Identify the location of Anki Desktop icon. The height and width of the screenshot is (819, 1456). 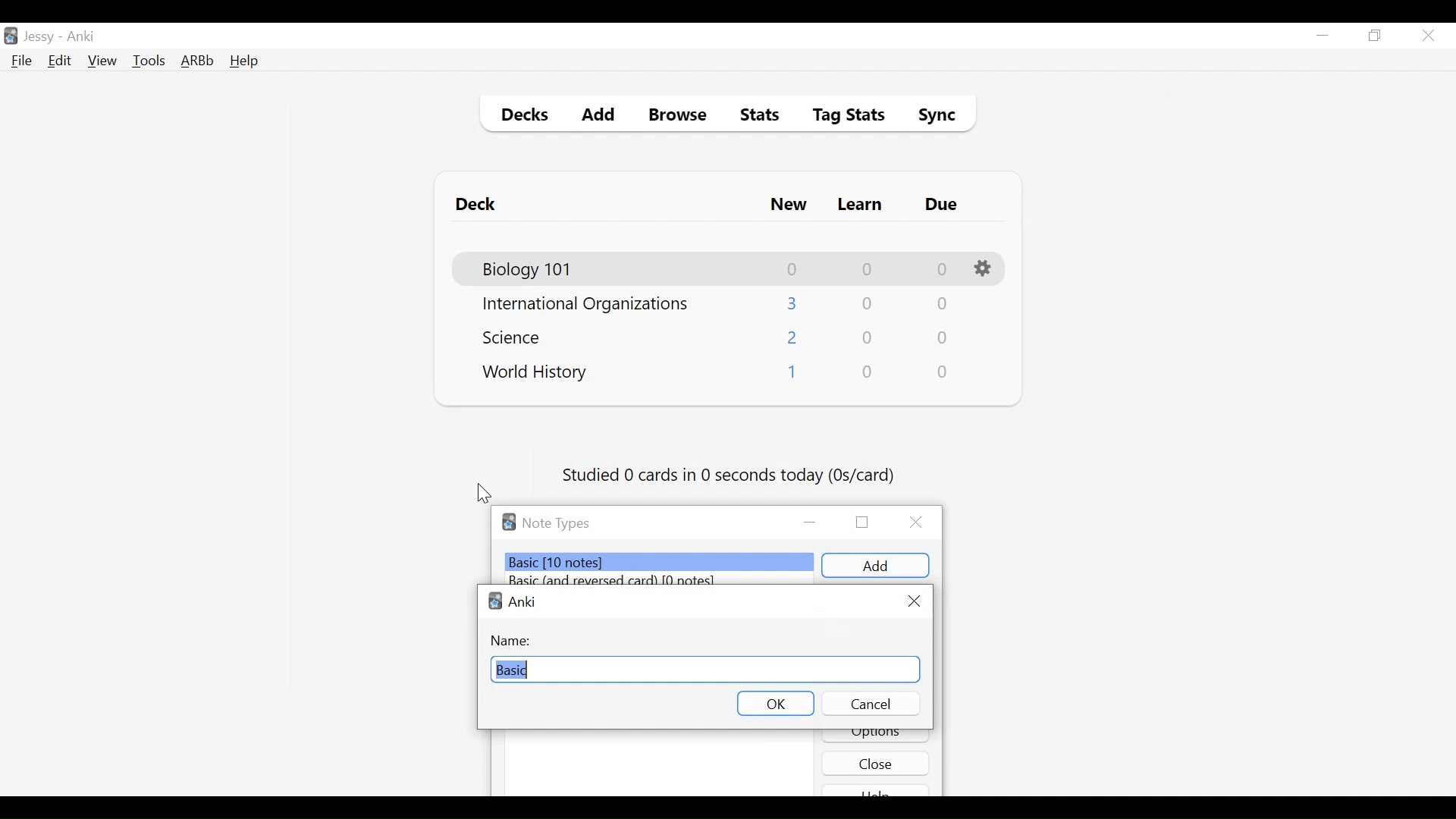
(11, 36).